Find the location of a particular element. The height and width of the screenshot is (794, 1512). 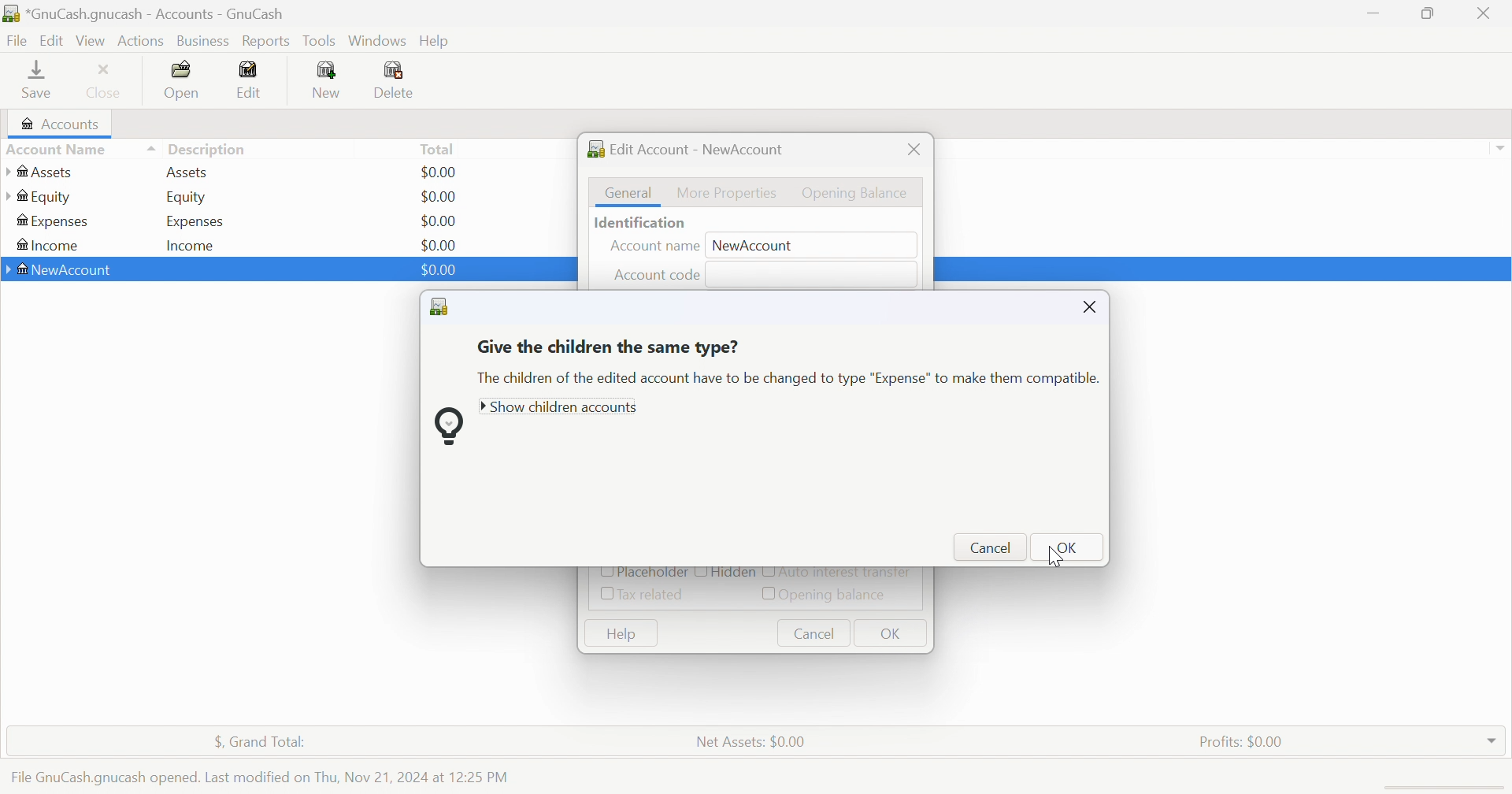

General is located at coordinates (630, 193).